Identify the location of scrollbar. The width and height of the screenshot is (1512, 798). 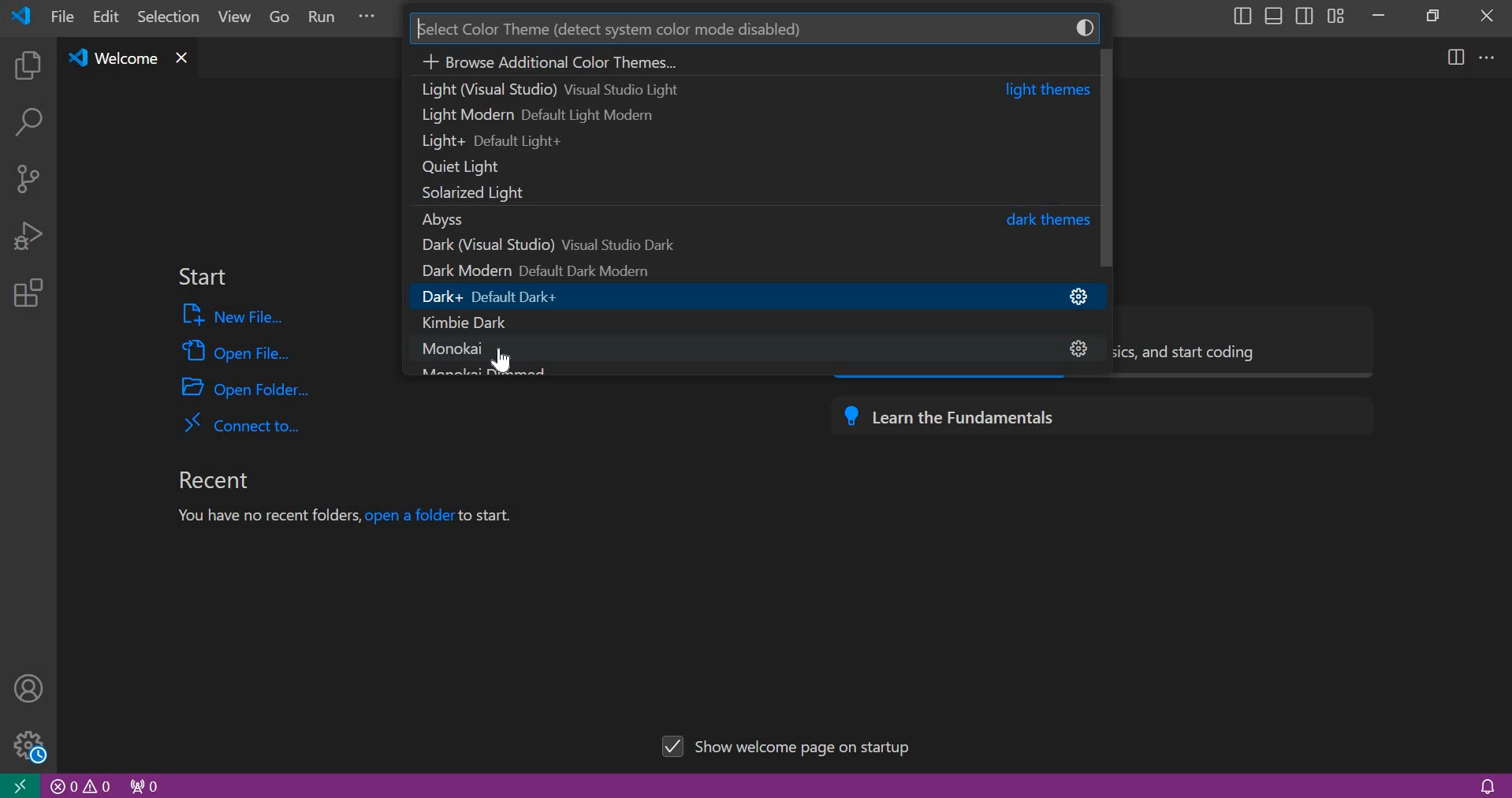
(1107, 157).